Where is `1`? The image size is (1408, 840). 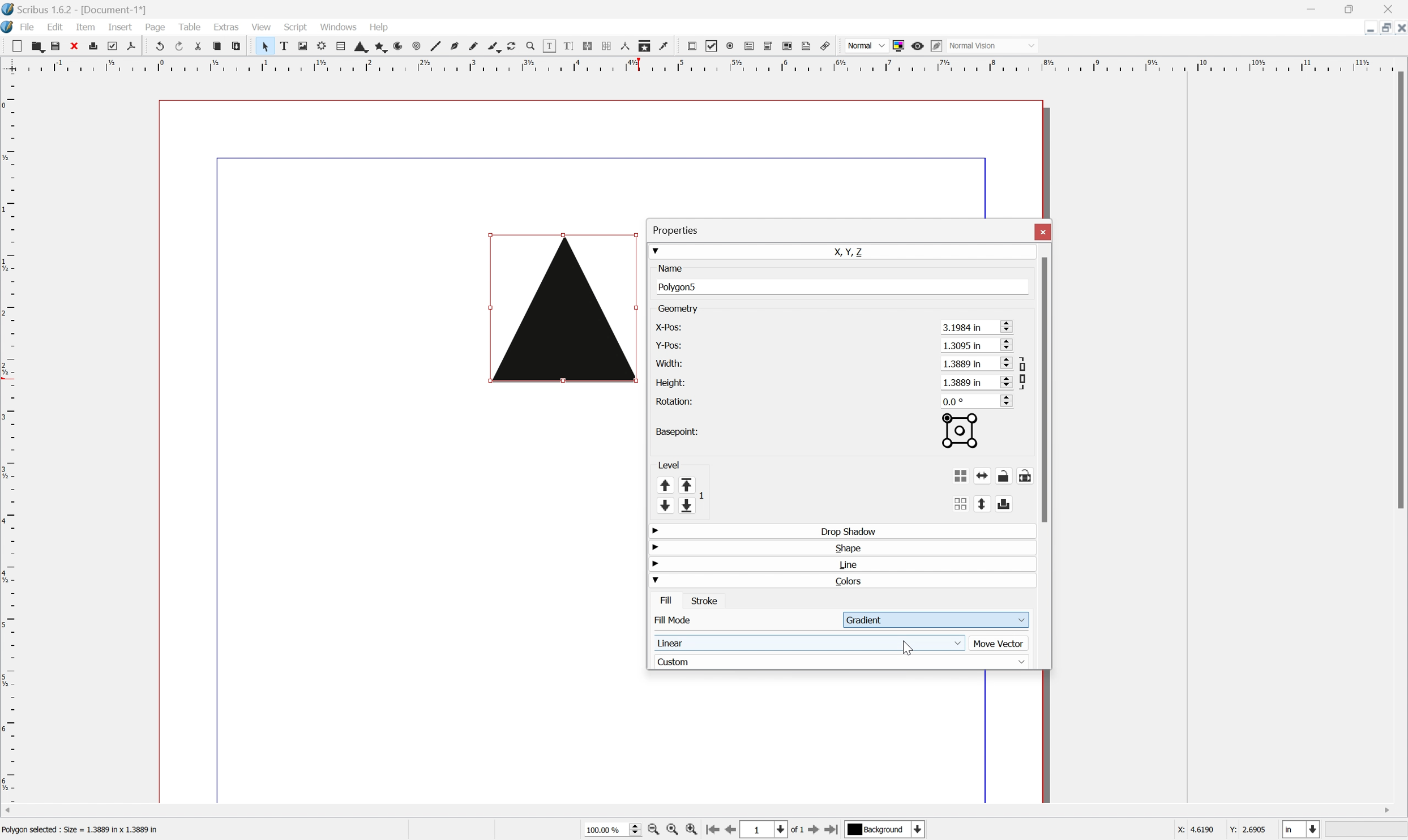 1 is located at coordinates (757, 830).